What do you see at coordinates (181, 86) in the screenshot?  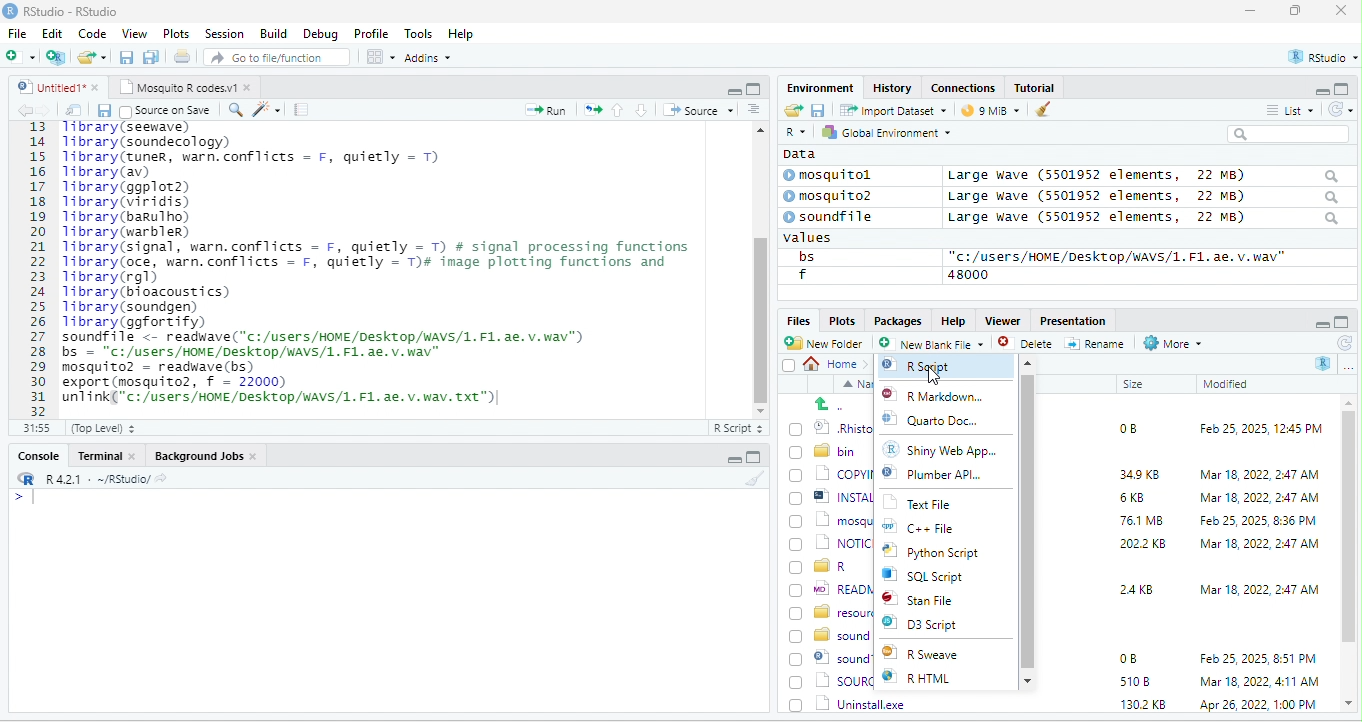 I see `‘Mosquito R codes.vi` at bounding box center [181, 86].